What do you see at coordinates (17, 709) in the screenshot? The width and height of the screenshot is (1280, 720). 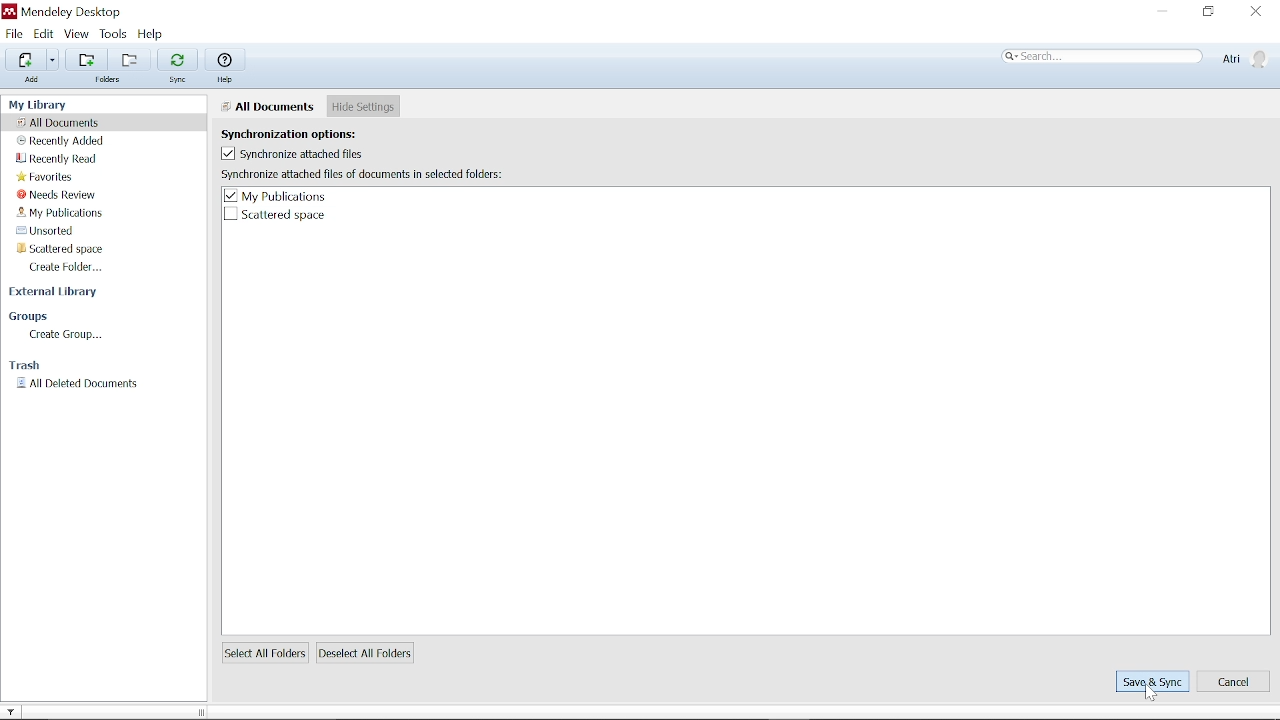 I see `Filter` at bounding box center [17, 709].